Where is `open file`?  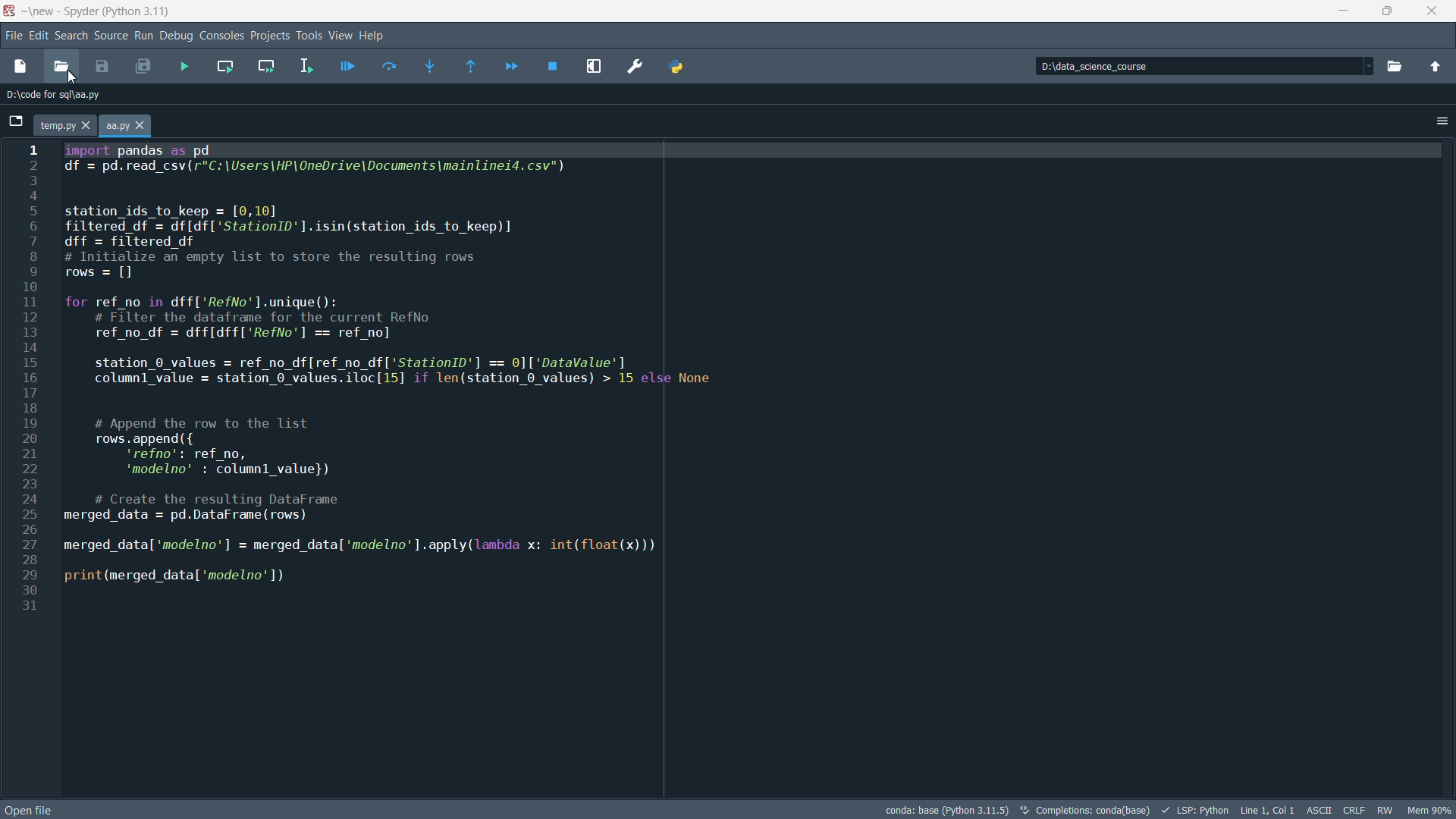 open file is located at coordinates (63, 67).